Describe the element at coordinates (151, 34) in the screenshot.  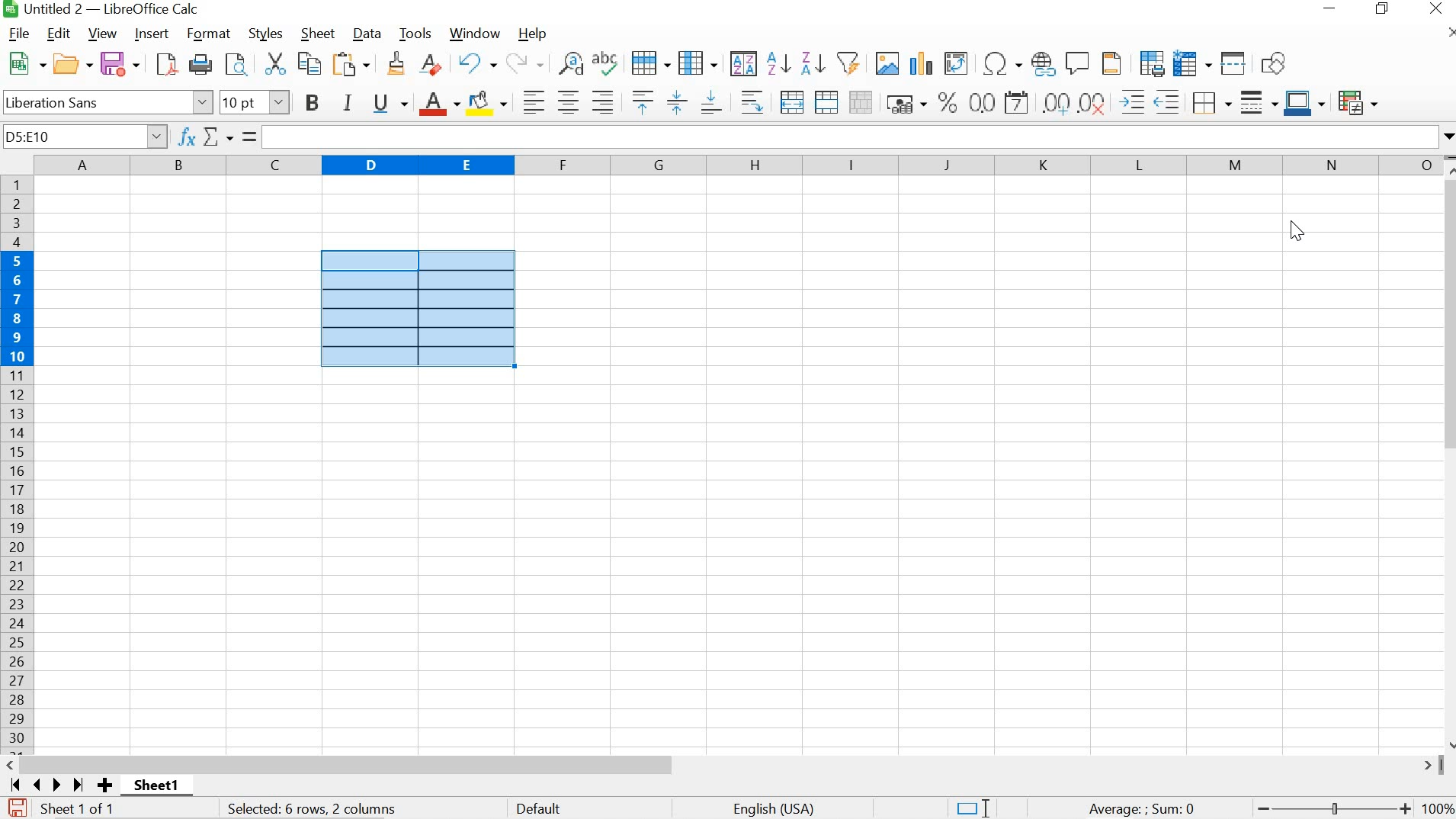
I see `INSERT` at that location.